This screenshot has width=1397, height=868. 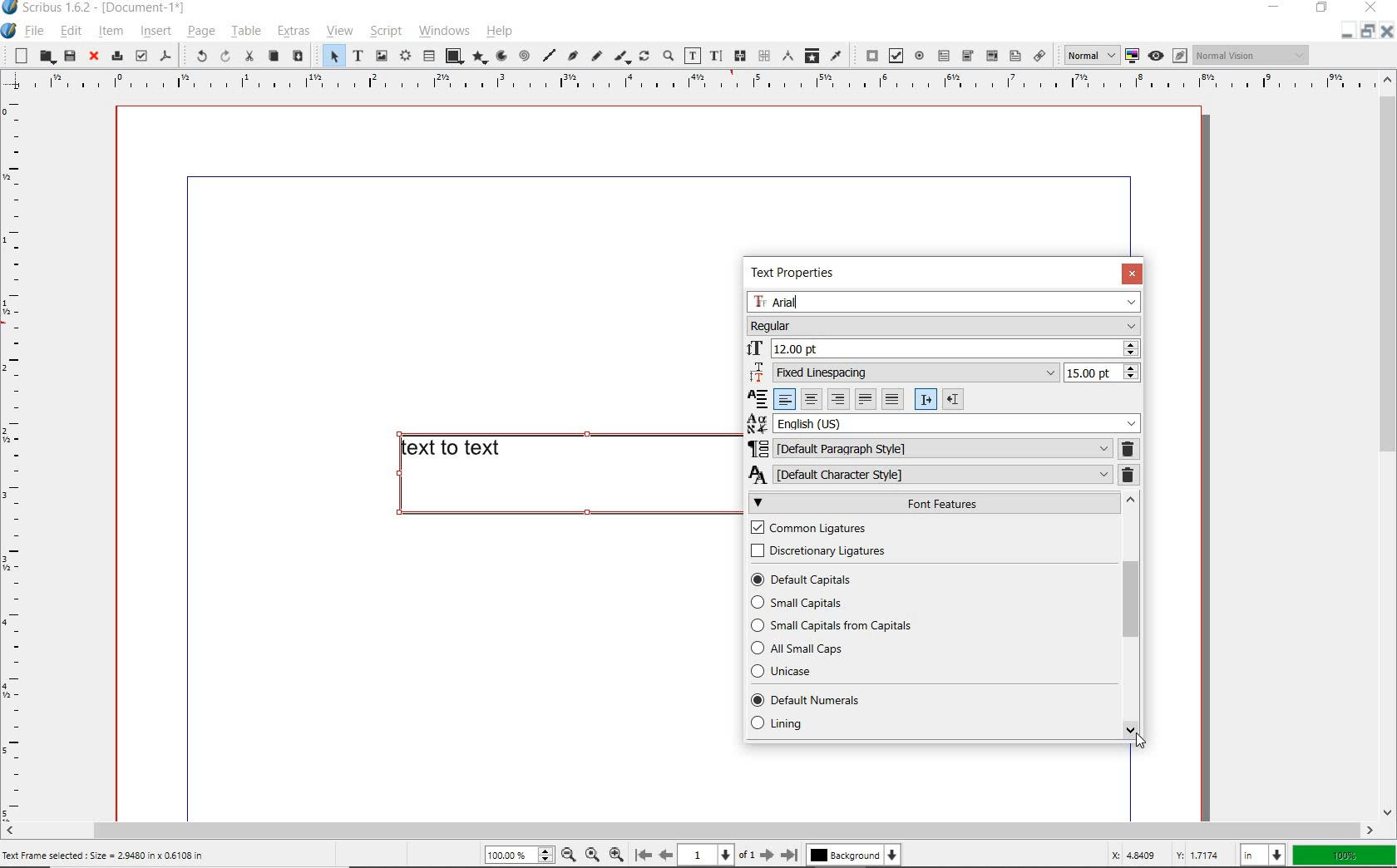 What do you see at coordinates (445, 32) in the screenshot?
I see `windows` at bounding box center [445, 32].